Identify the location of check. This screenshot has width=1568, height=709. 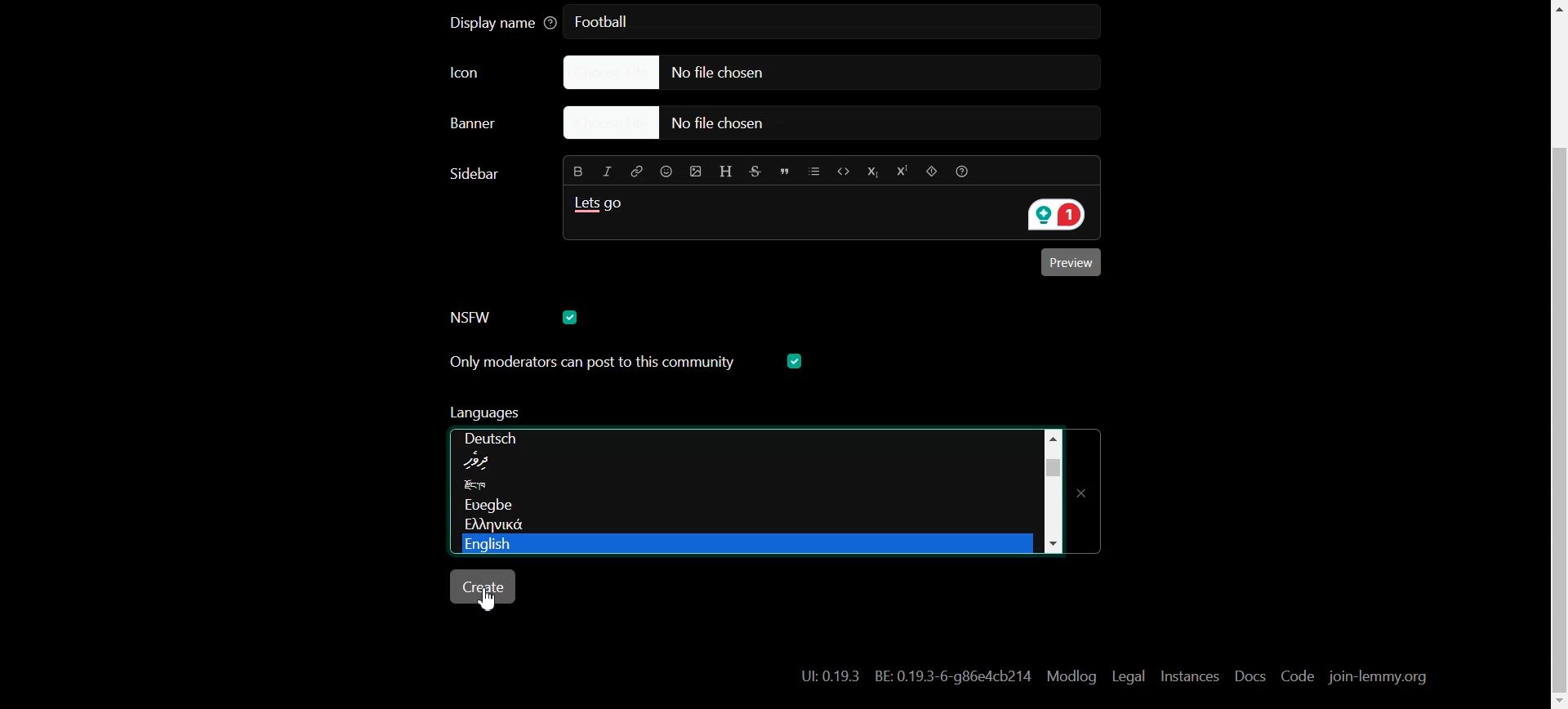
(572, 316).